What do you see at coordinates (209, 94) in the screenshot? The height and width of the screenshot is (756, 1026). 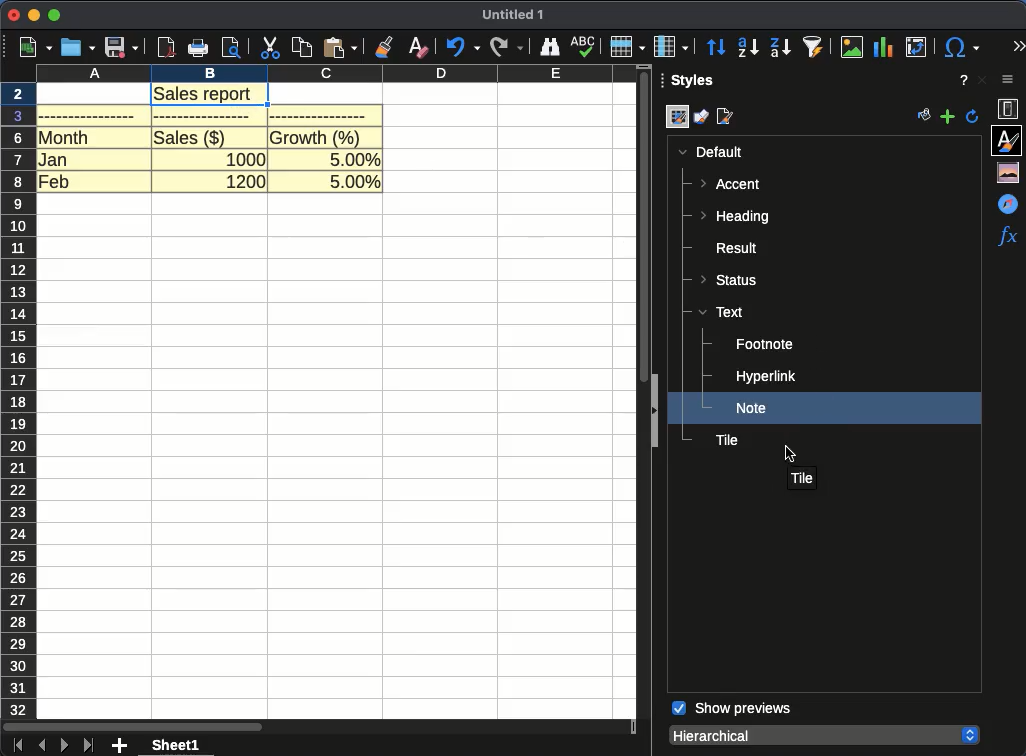 I see `sales report` at bounding box center [209, 94].